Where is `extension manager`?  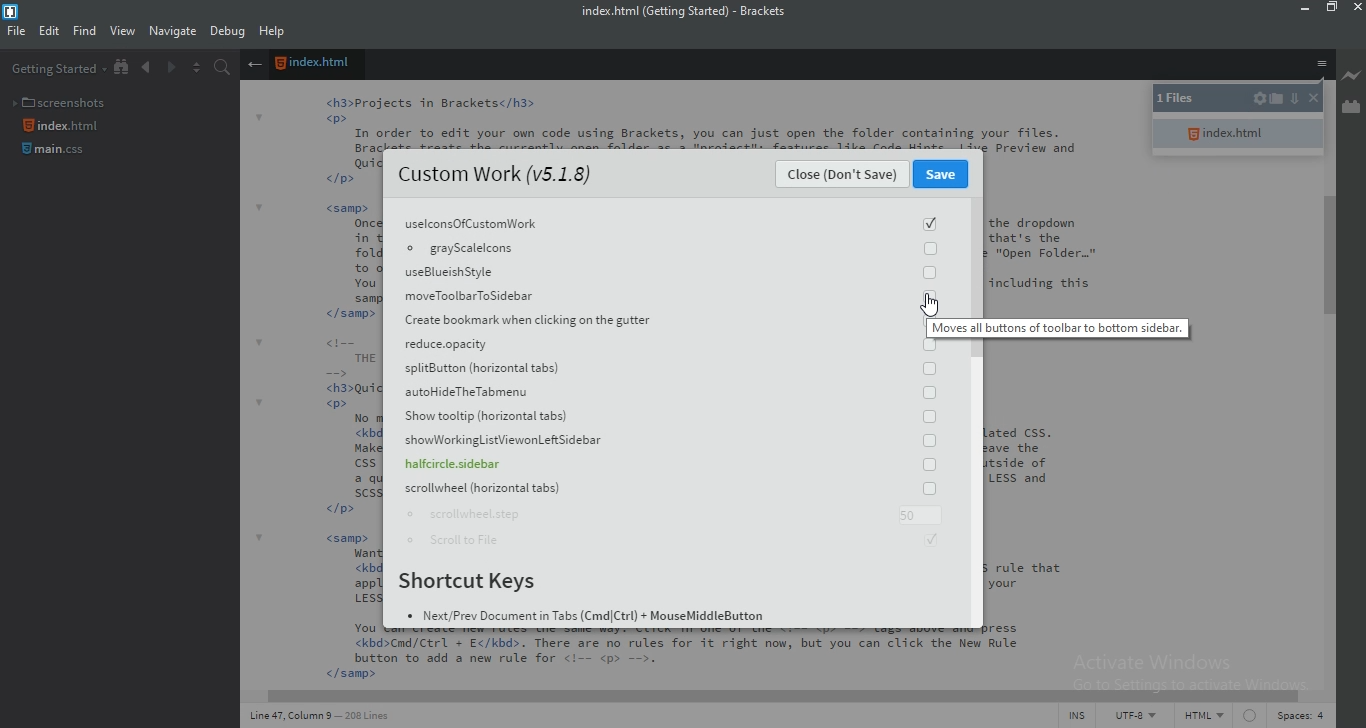
extension manager is located at coordinates (1350, 108).